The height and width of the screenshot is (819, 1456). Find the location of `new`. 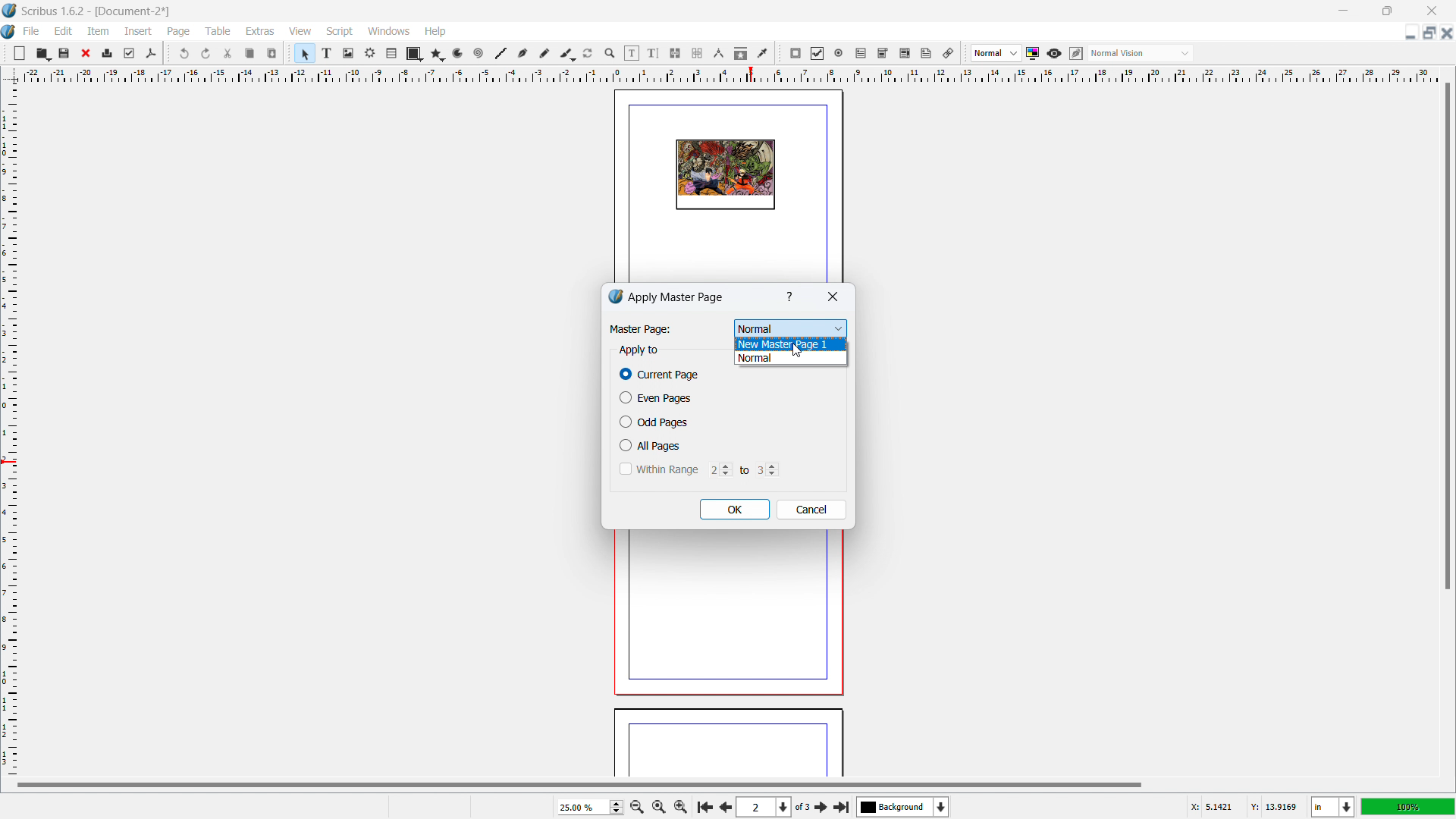

new is located at coordinates (20, 53).